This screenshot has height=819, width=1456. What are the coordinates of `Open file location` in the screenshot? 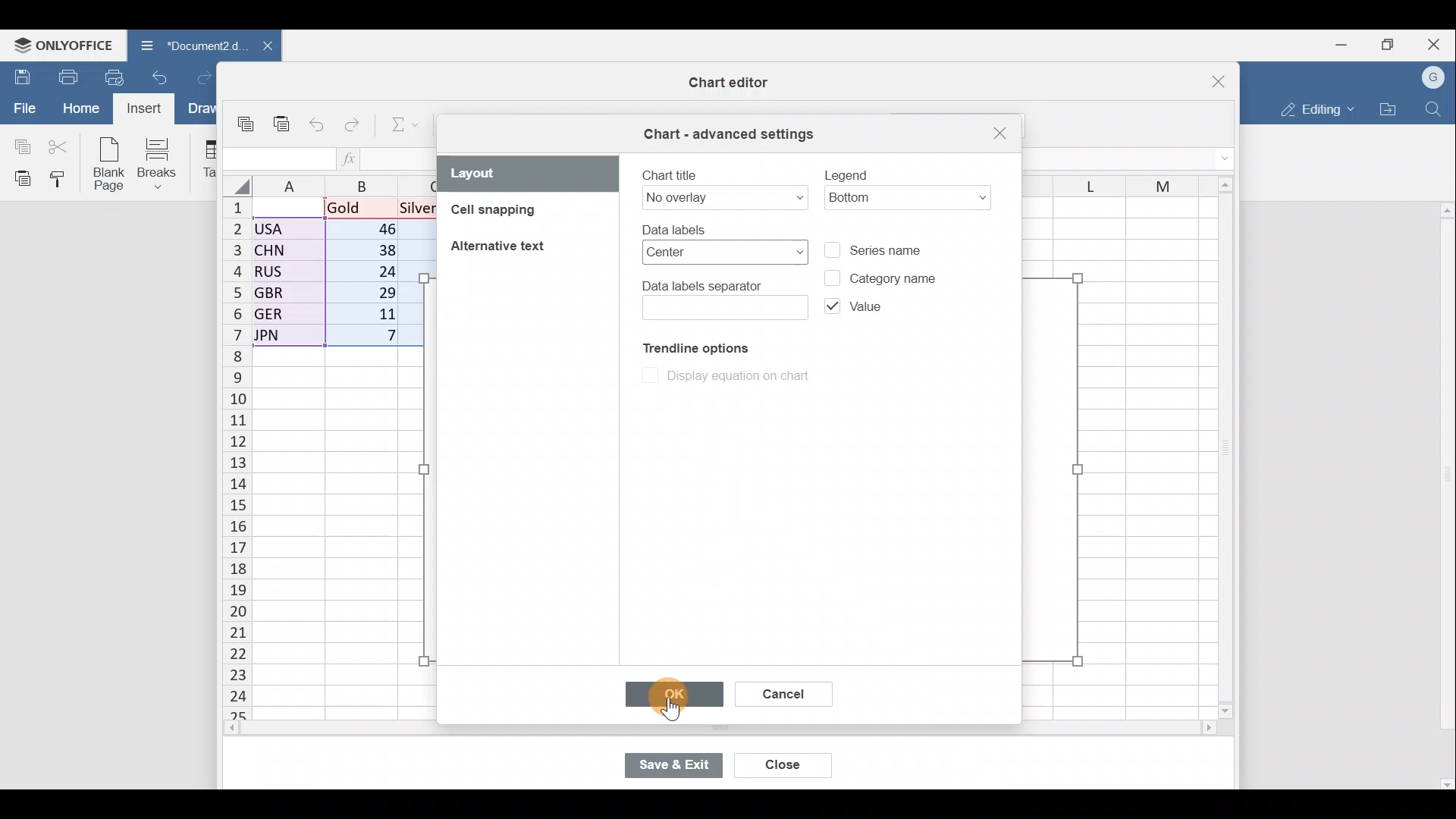 It's located at (1388, 109).